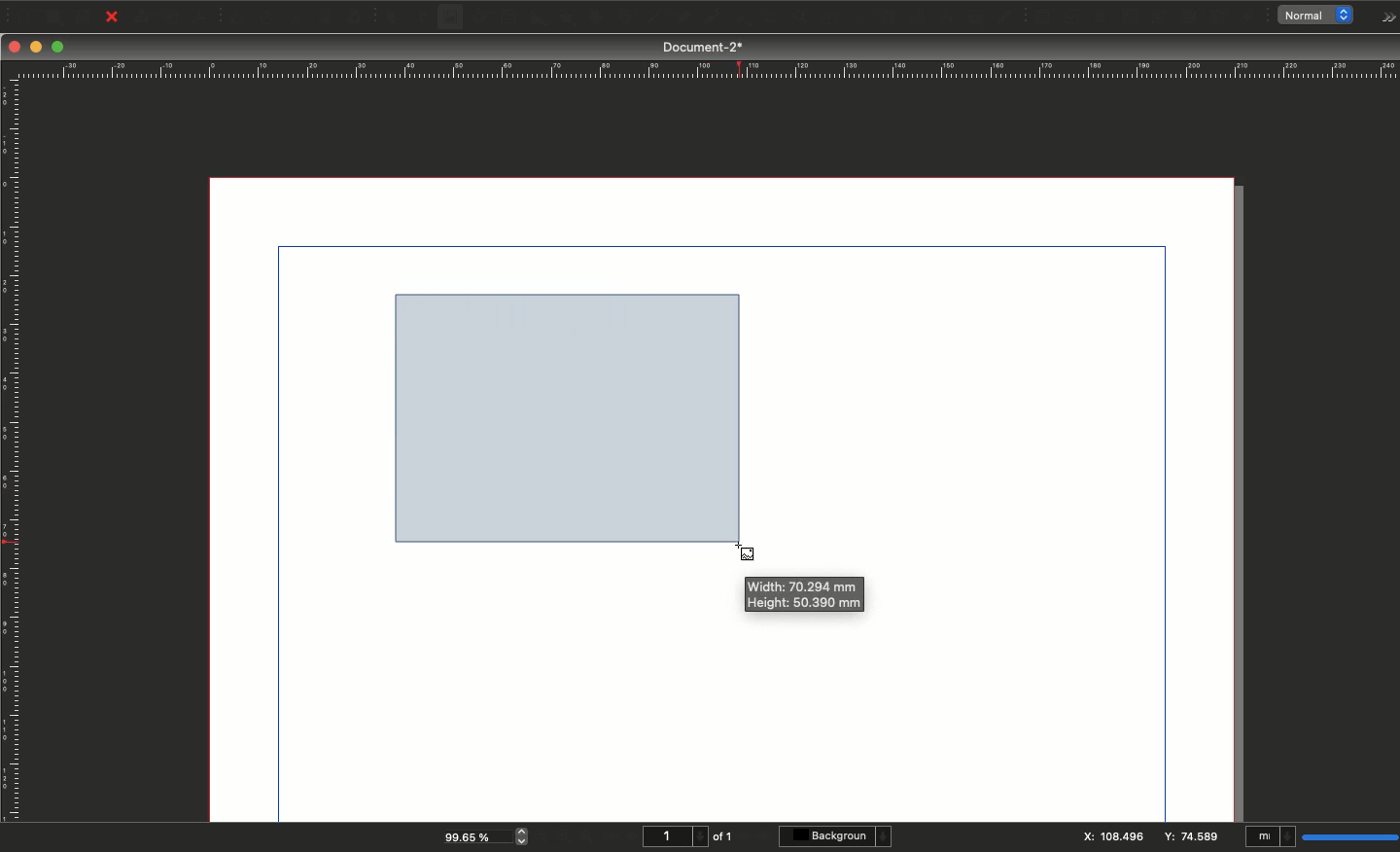  I want to click on Background, so click(838, 836).